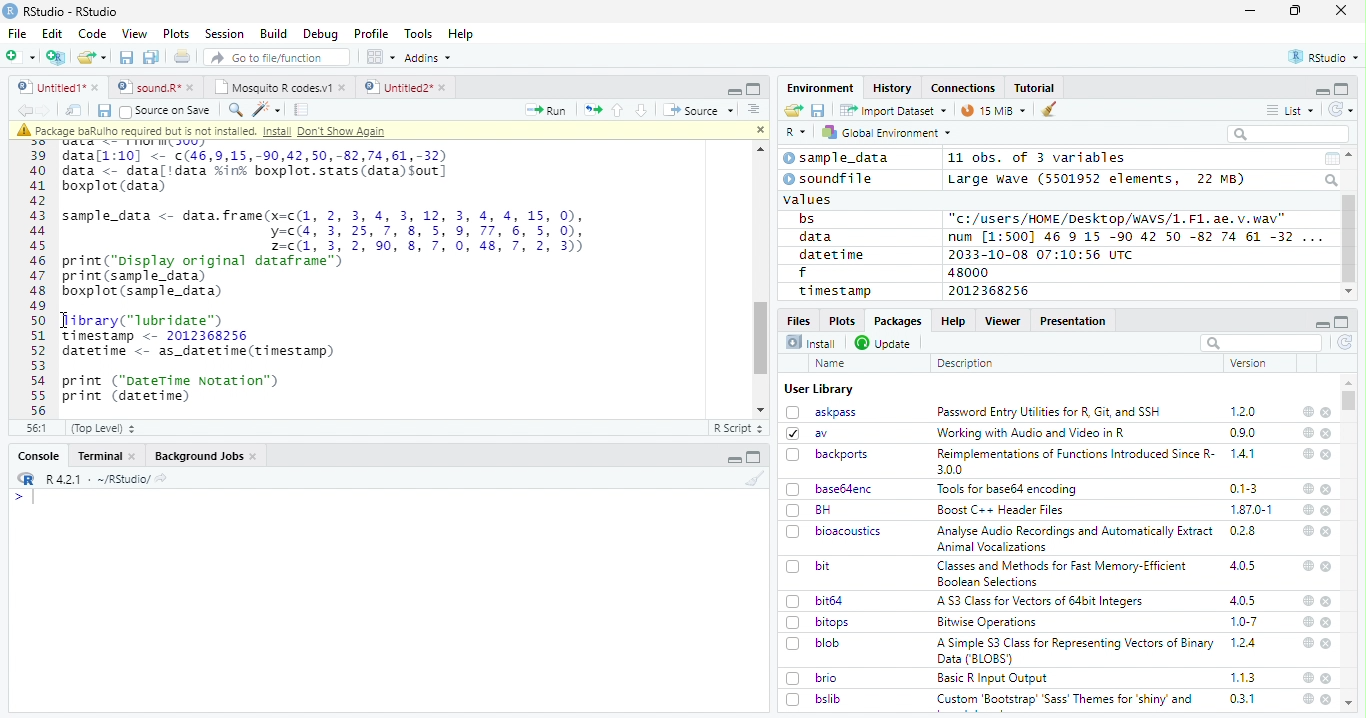 The image size is (1366, 718). I want to click on History, so click(893, 88).